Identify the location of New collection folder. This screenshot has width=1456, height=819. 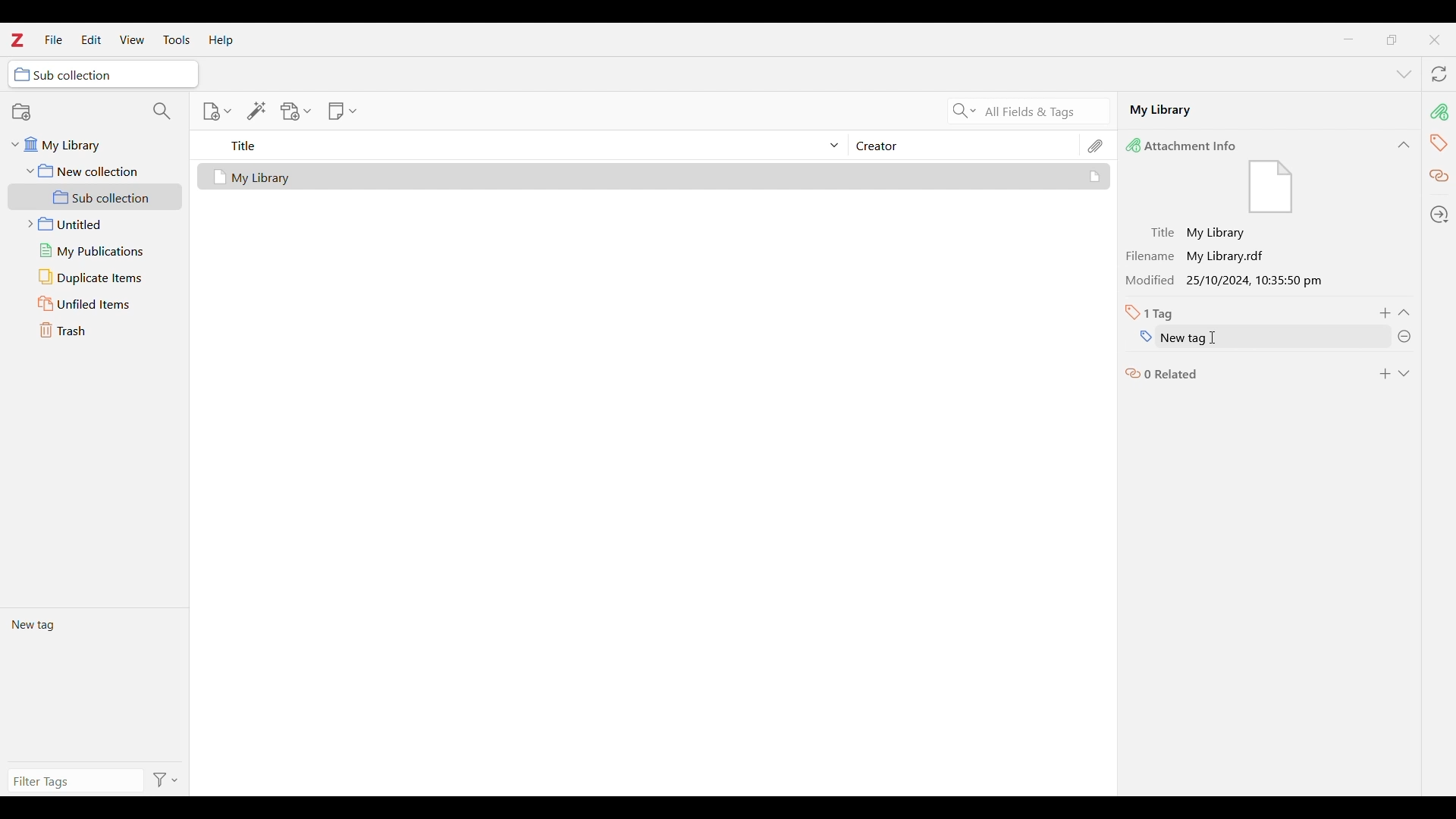
(96, 171).